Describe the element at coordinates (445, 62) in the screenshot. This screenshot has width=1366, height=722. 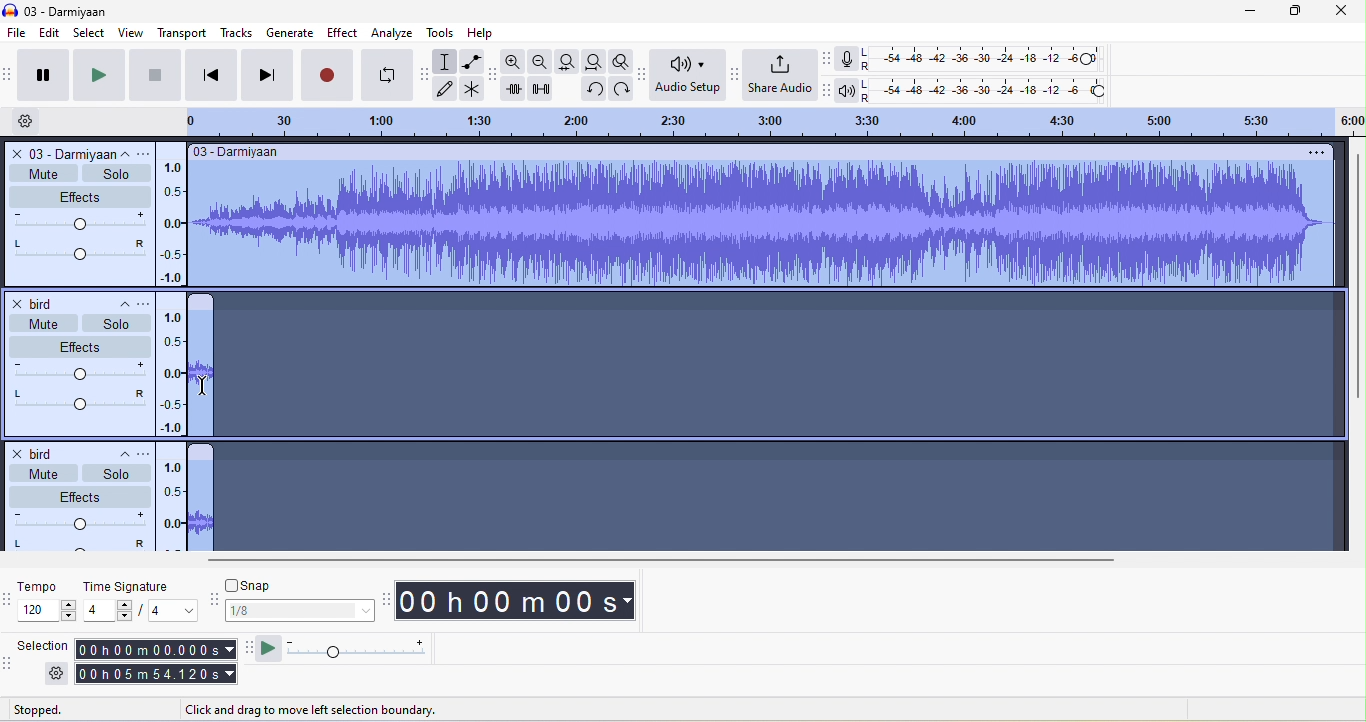
I see `selection tool` at that location.